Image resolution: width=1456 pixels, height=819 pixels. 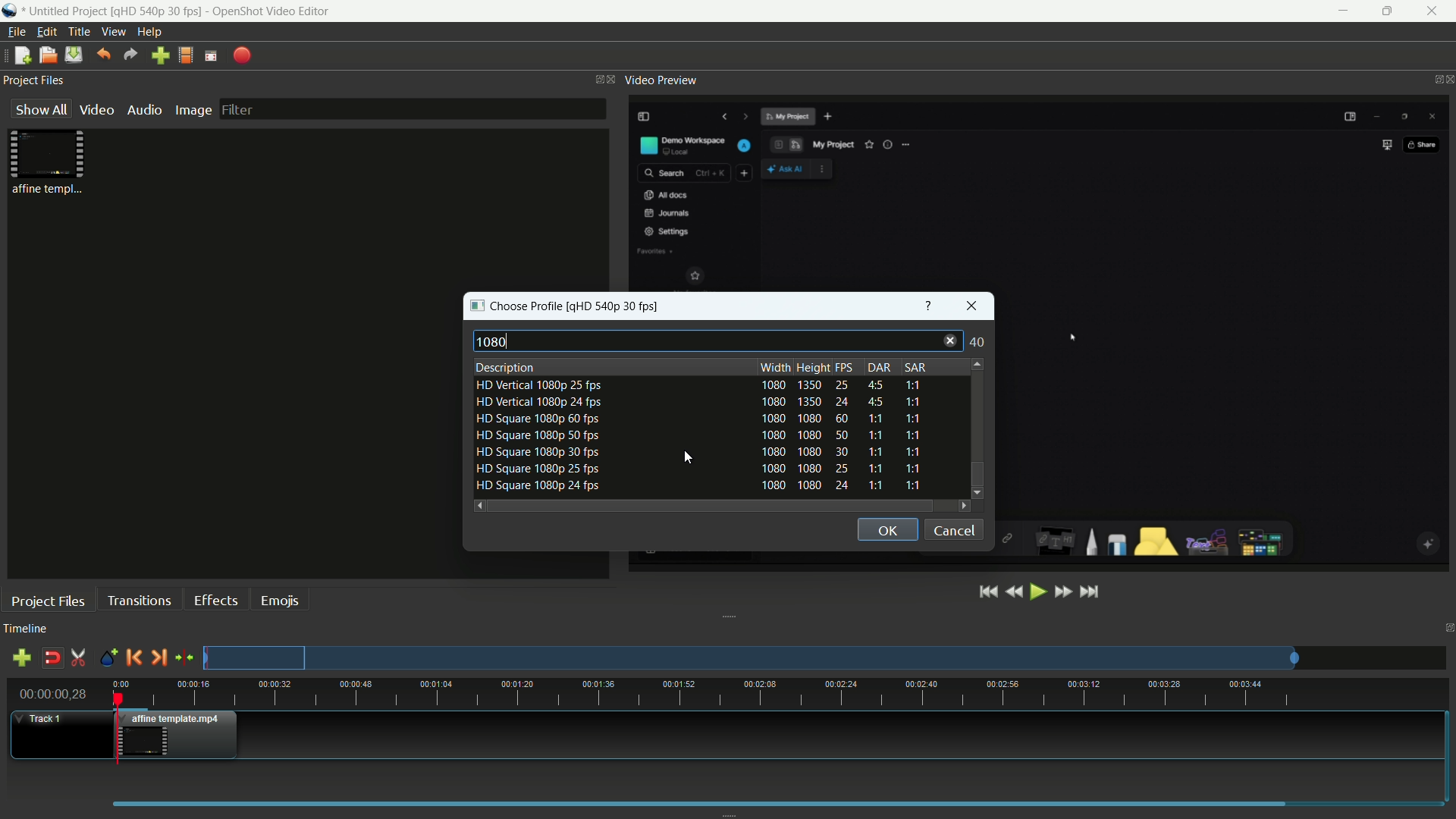 What do you see at coordinates (784, 693) in the screenshot?
I see `time` at bounding box center [784, 693].